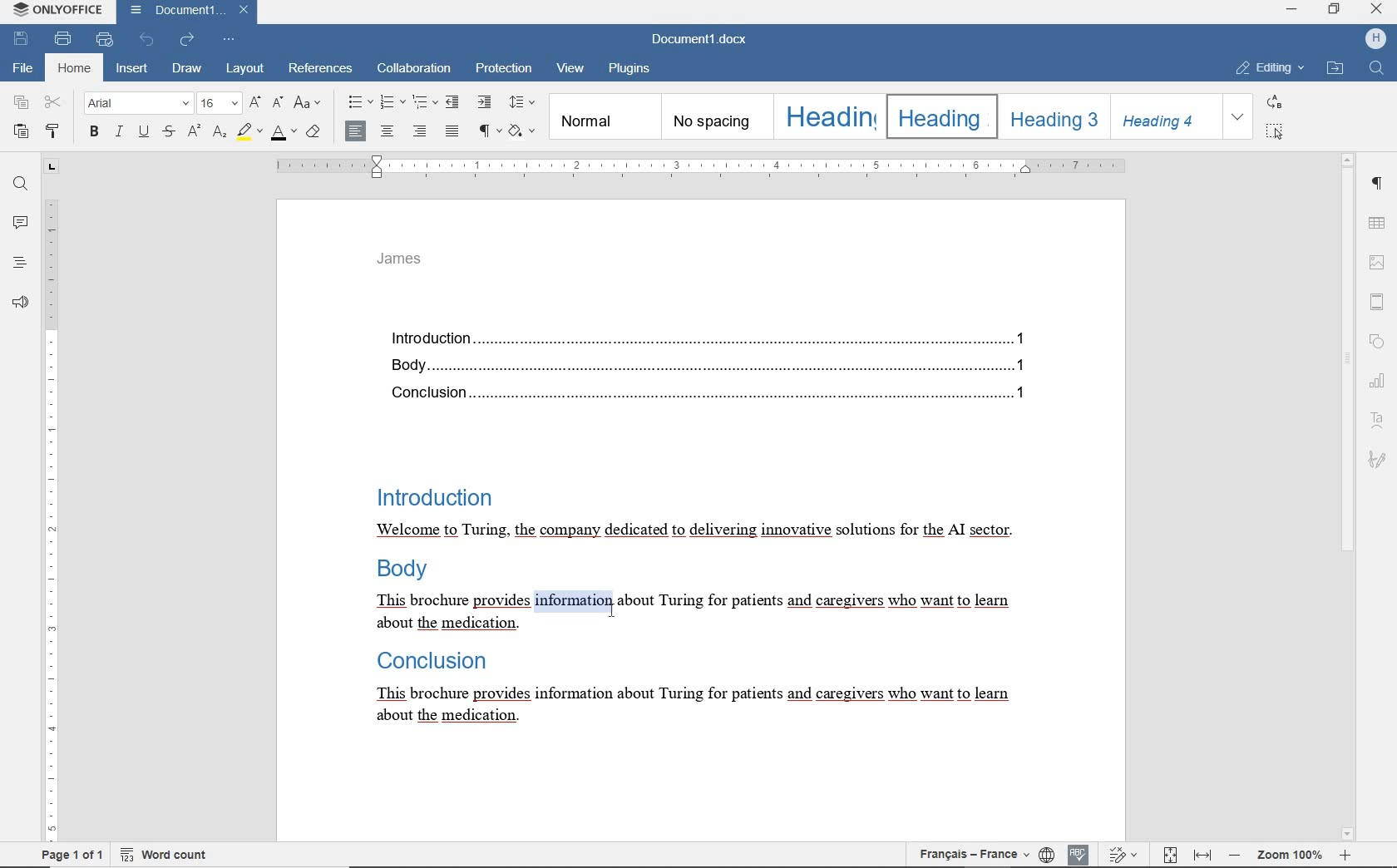 Image resolution: width=1397 pixels, height=868 pixels. What do you see at coordinates (391, 103) in the screenshot?
I see `NUMBERING` at bounding box center [391, 103].